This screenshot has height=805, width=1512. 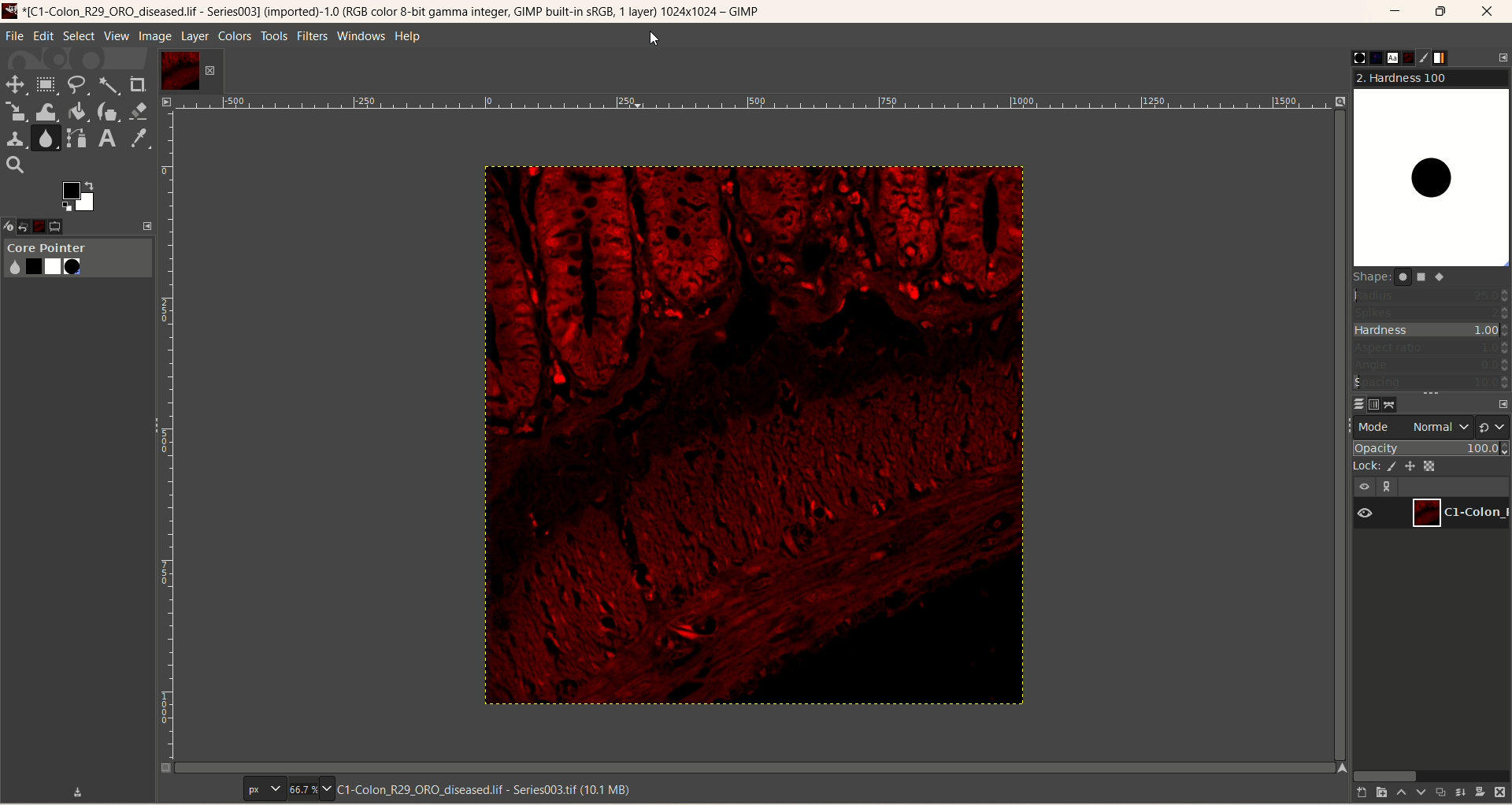 I want to click on text, so click(x=490, y=789).